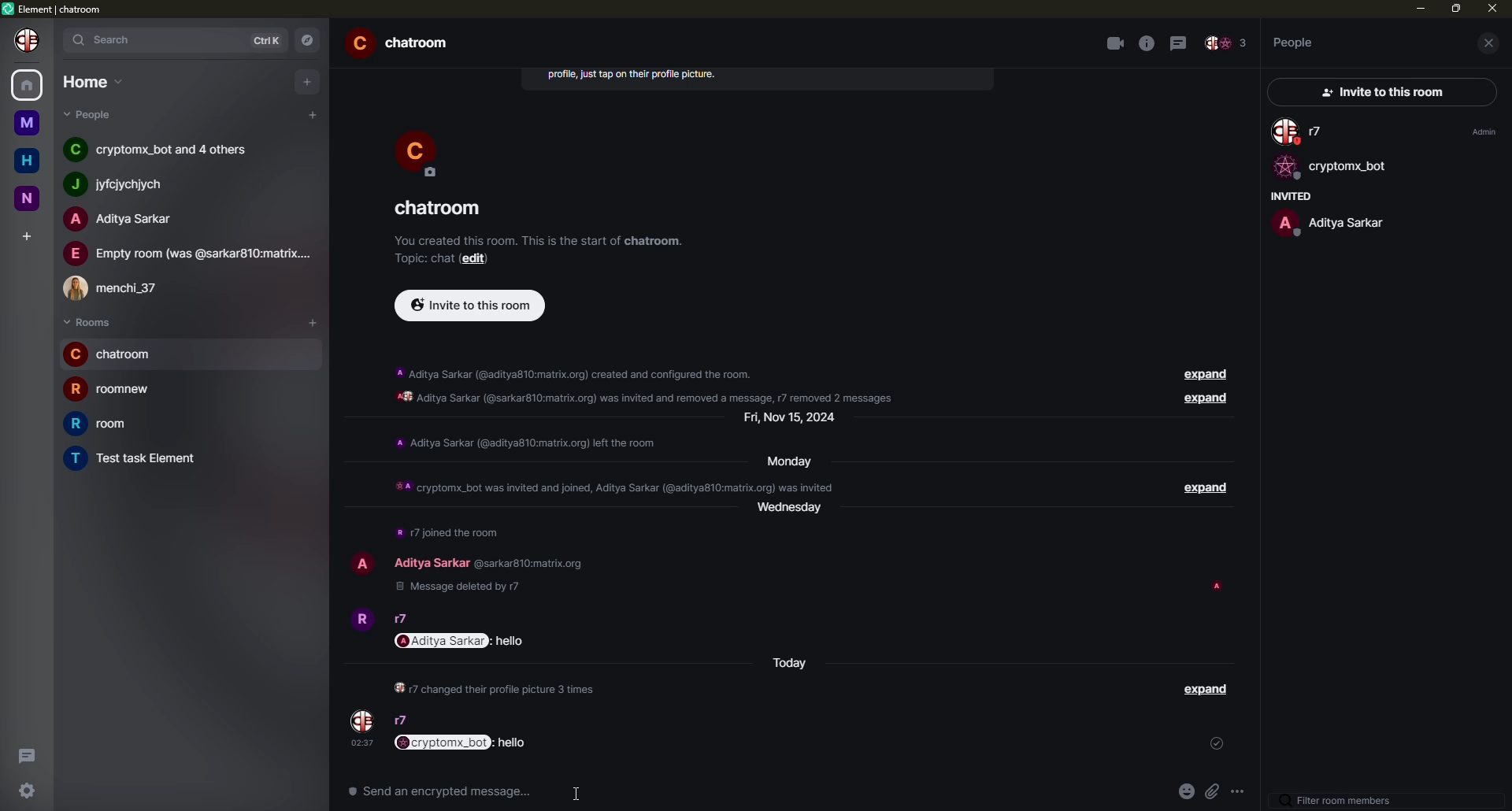 This screenshot has height=811, width=1512. I want to click on send, so click(1238, 791).